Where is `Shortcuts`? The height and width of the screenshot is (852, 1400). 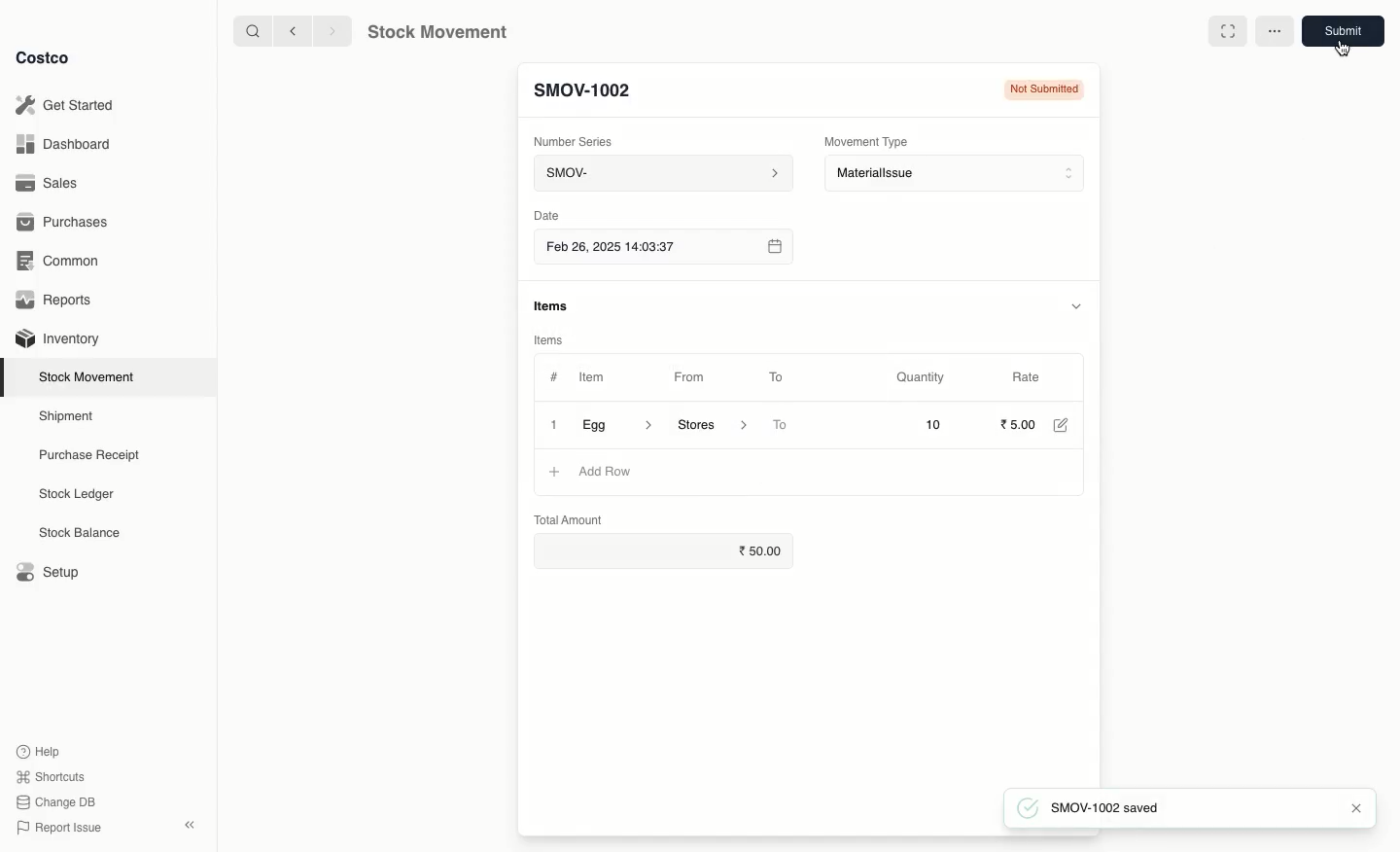 Shortcuts is located at coordinates (51, 774).